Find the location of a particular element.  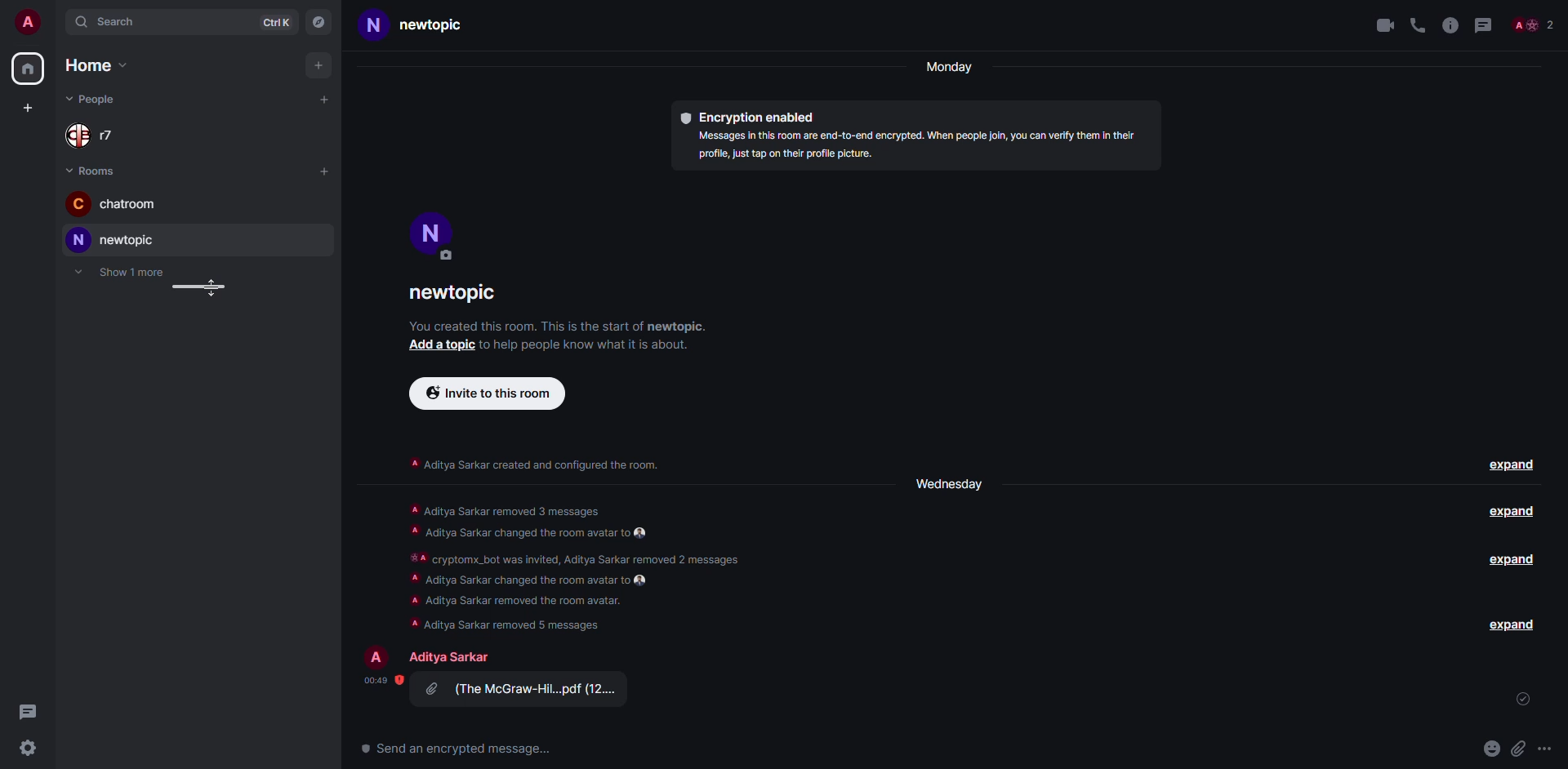

invite to this room is located at coordinates (488, 394).